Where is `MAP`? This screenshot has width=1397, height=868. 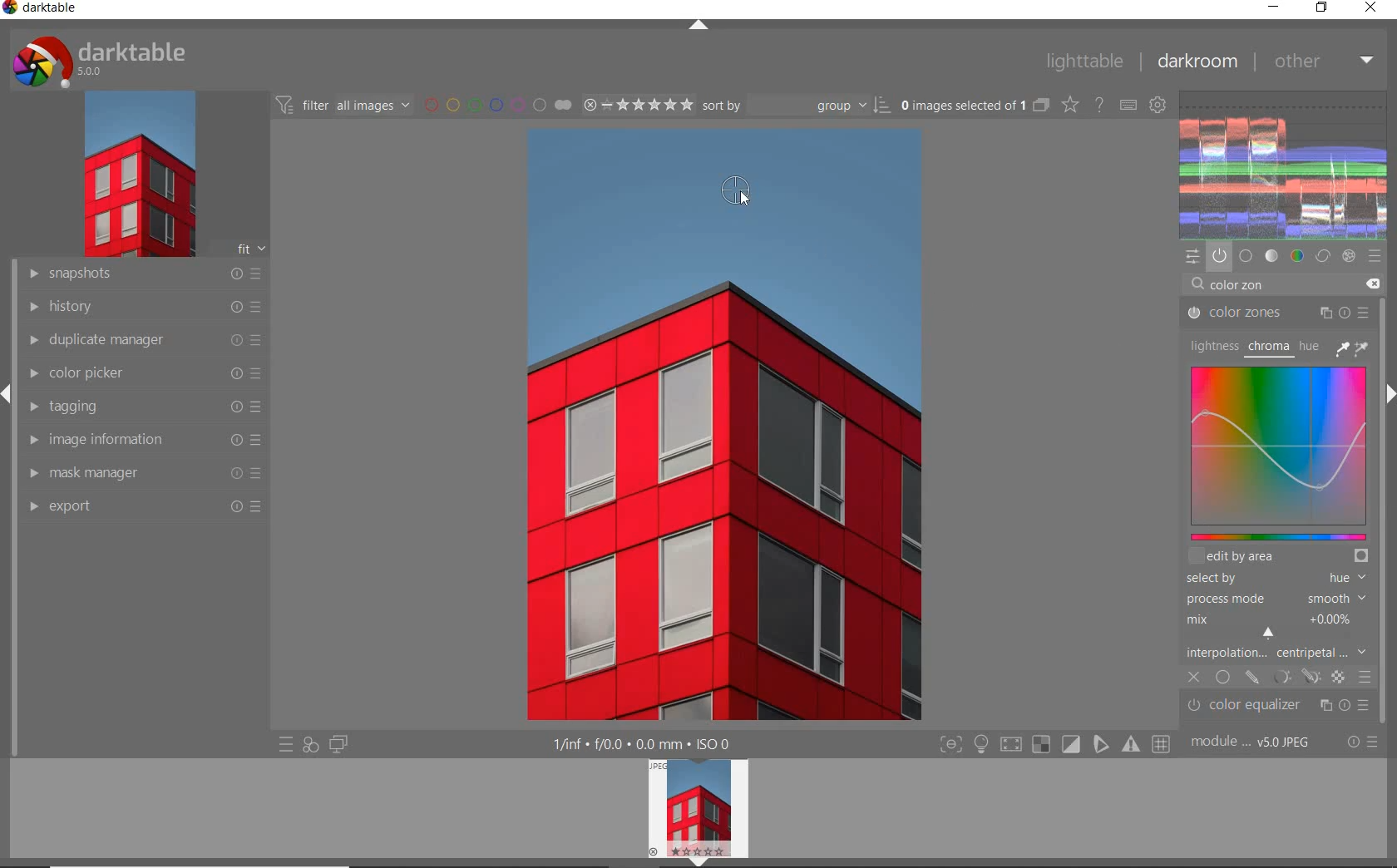
MAP is located at coordinates (1283, 451).